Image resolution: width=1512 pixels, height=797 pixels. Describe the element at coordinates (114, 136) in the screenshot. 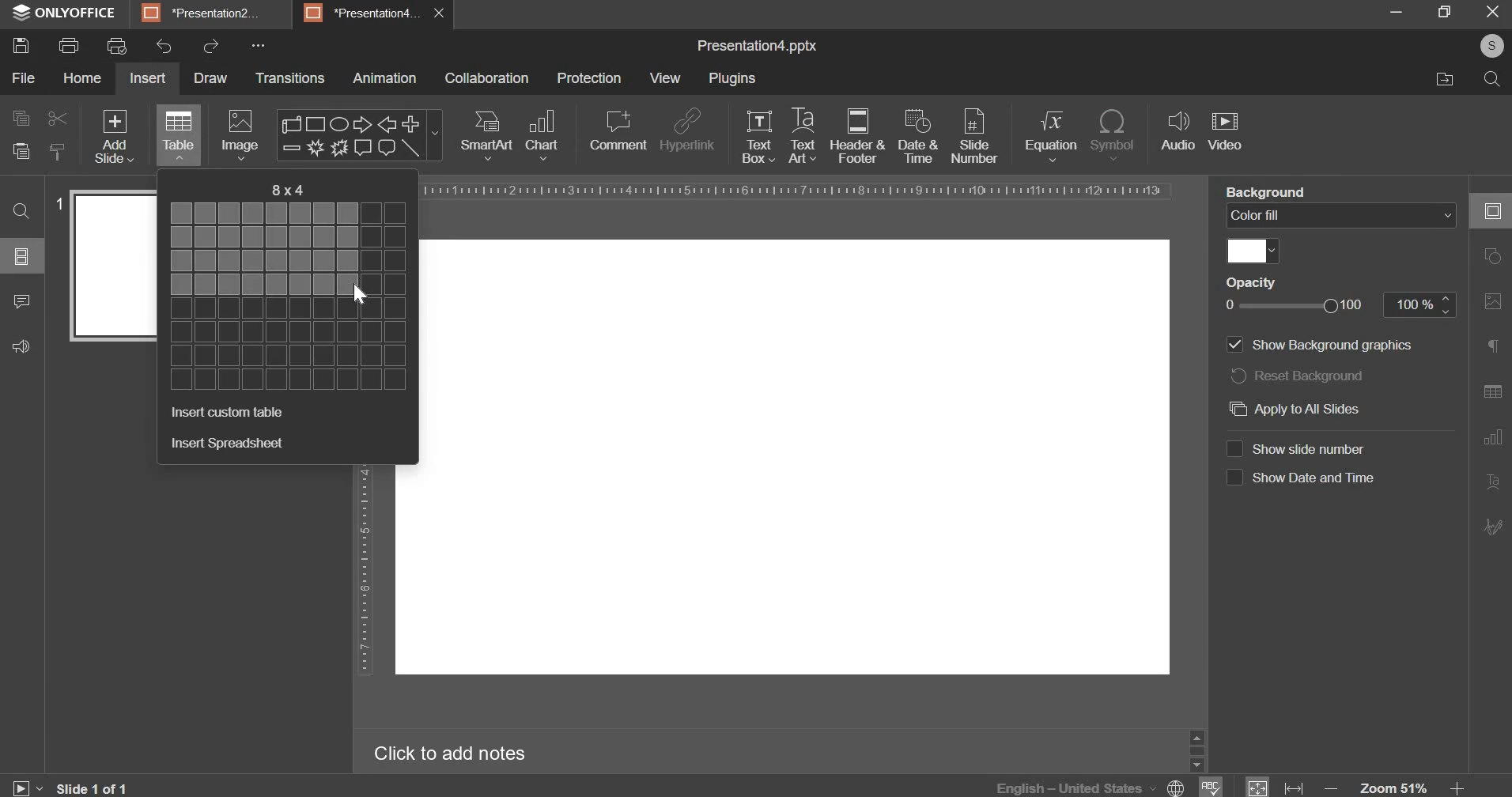

I see `add slide` at that location.